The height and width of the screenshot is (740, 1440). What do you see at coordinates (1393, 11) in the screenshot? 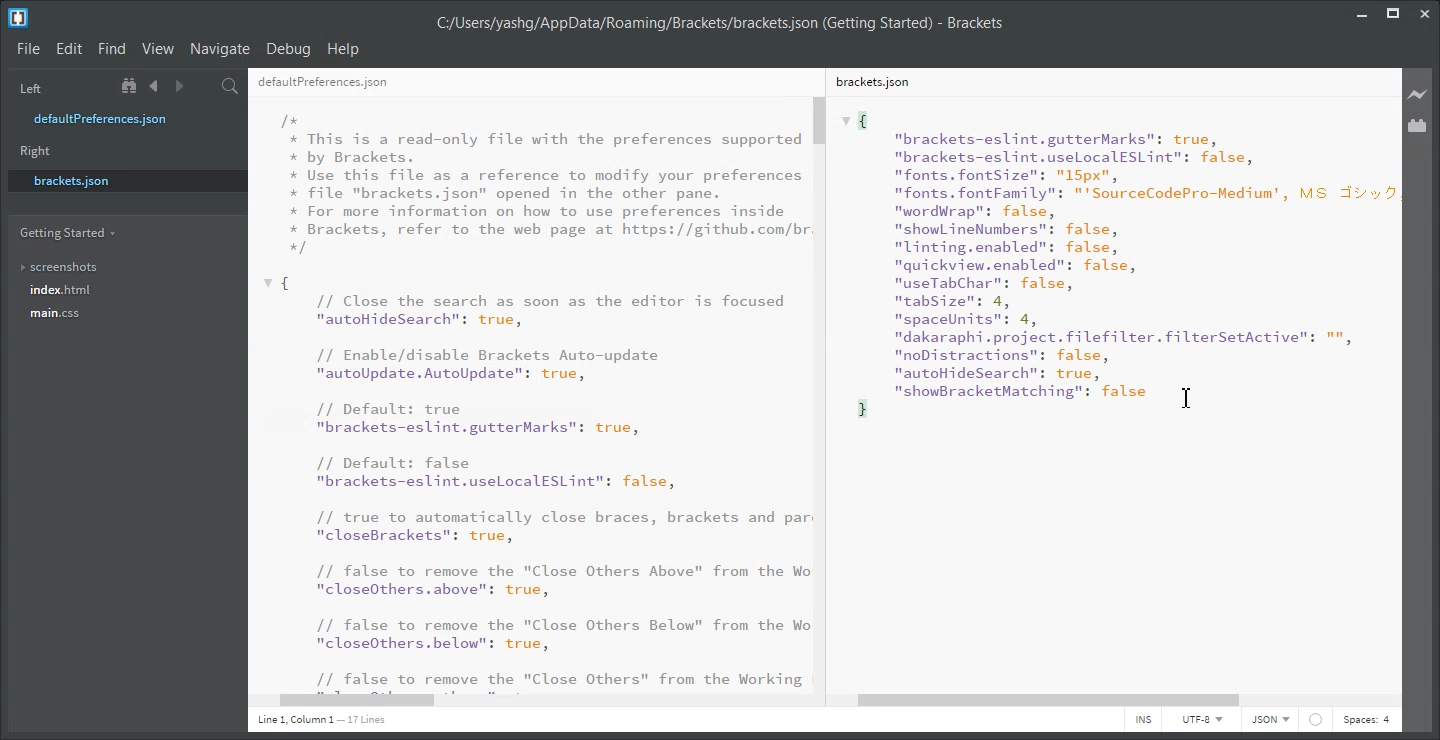
I see `Maximize` at bounding box center [1393, 11].